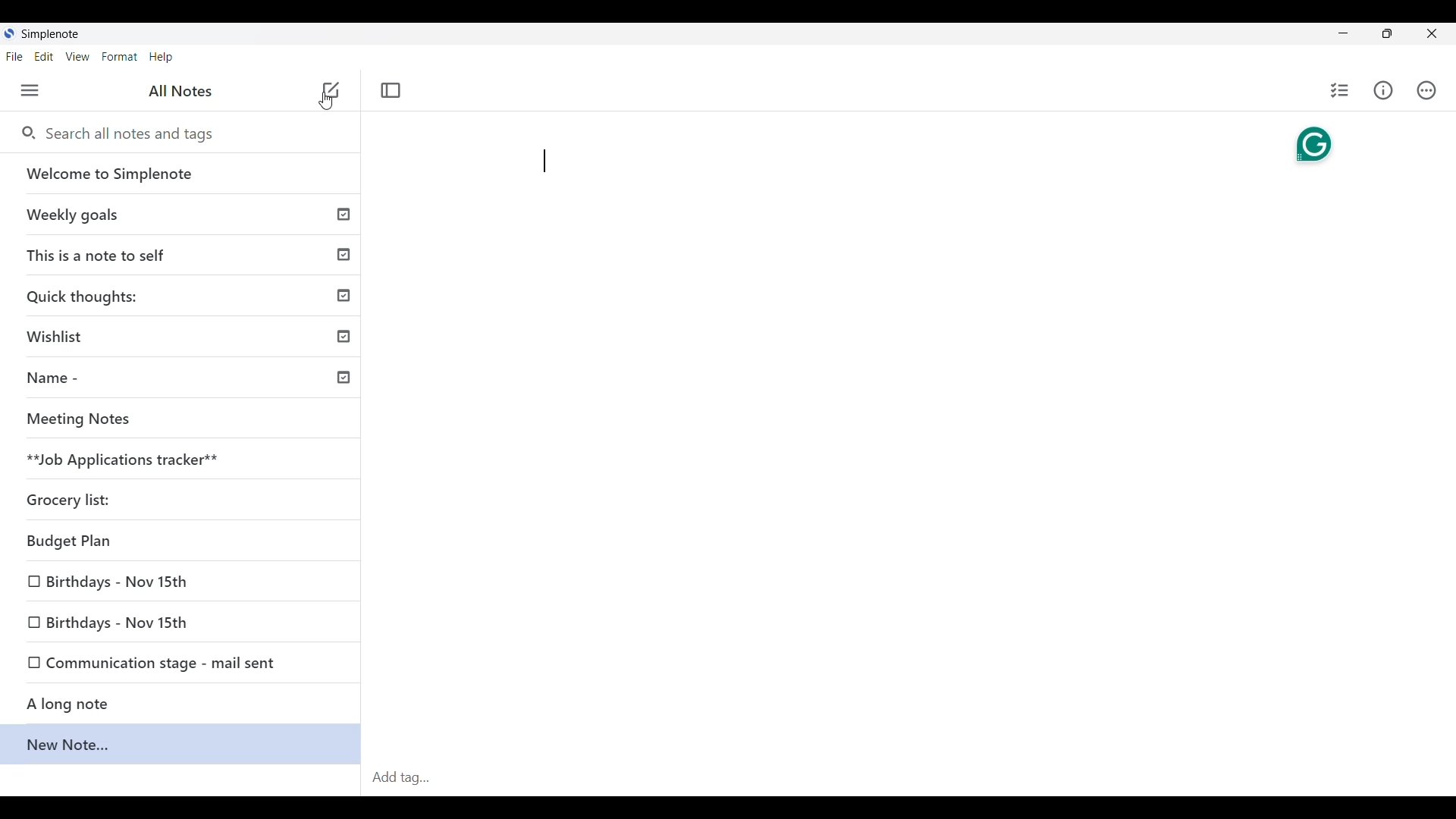  Describe the element at coordinates (1313, 145) in the screenshot. I see `Grammarly extension` at that location.